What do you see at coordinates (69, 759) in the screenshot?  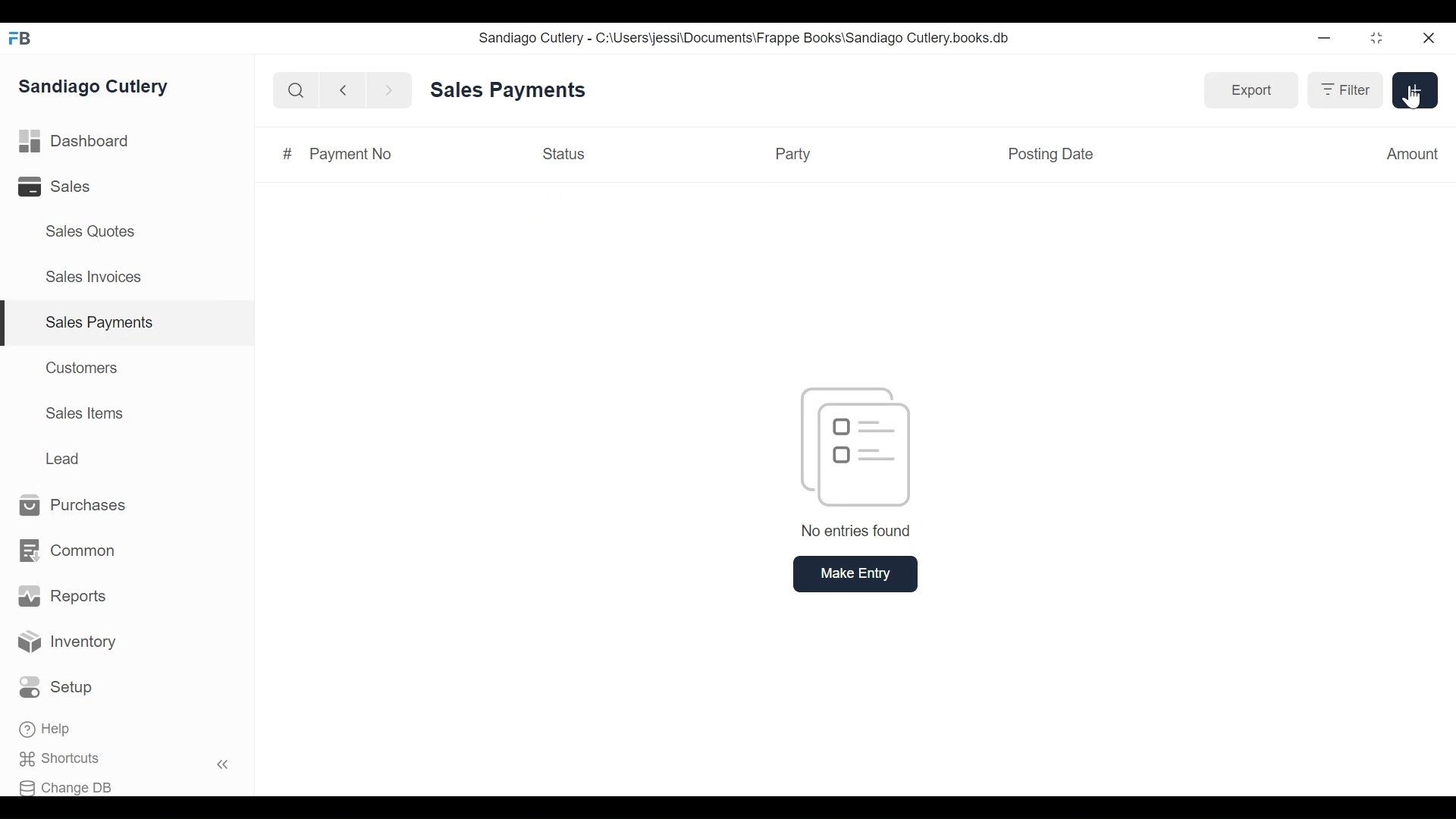 I see `Shortcuts` at bounding box center [69, 759].